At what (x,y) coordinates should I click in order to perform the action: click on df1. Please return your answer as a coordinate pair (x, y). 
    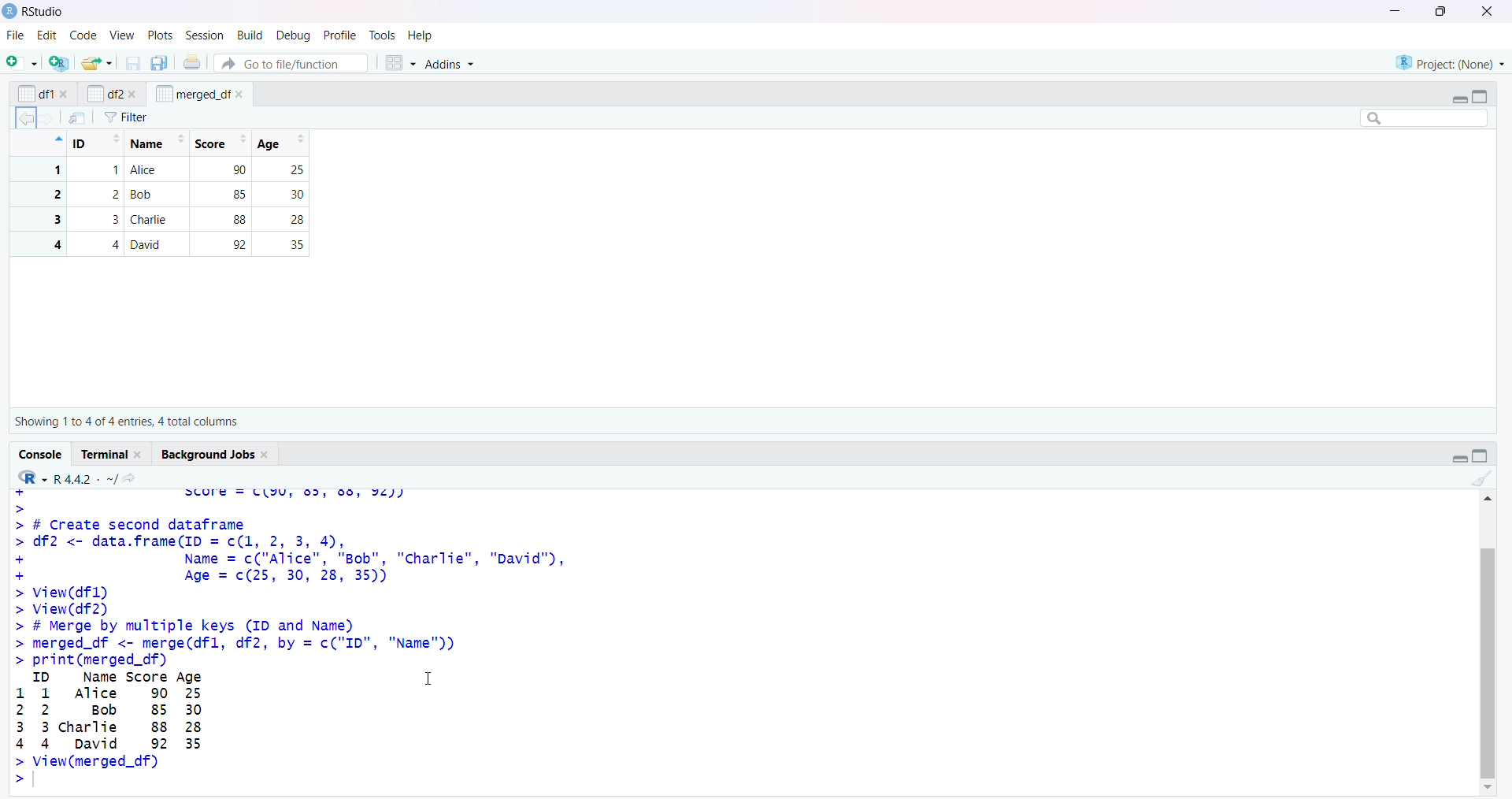
    Looking at the image, I should click on (35, 94).